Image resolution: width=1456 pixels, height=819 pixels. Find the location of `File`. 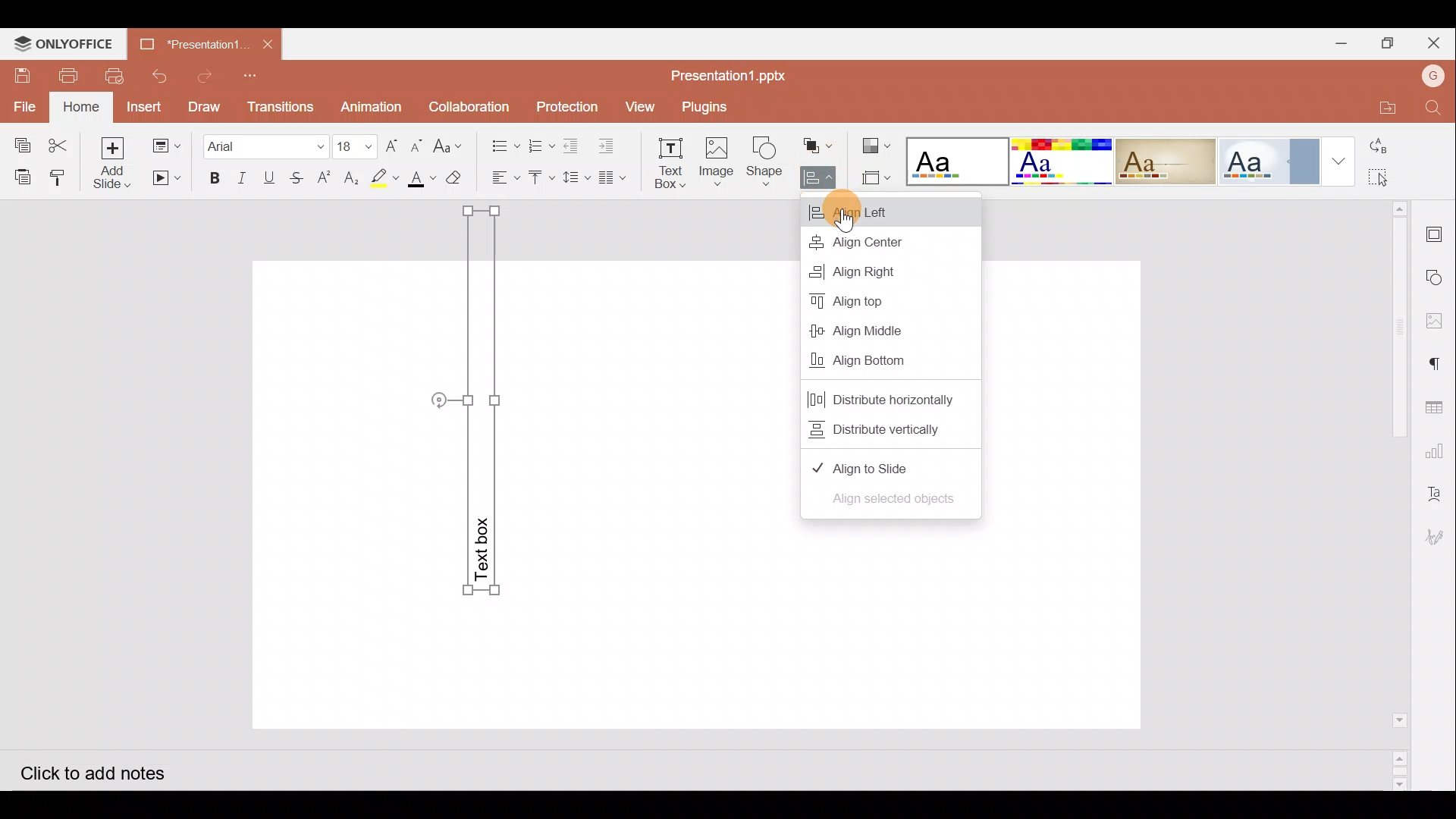

File is located at coordinates (26, 105).